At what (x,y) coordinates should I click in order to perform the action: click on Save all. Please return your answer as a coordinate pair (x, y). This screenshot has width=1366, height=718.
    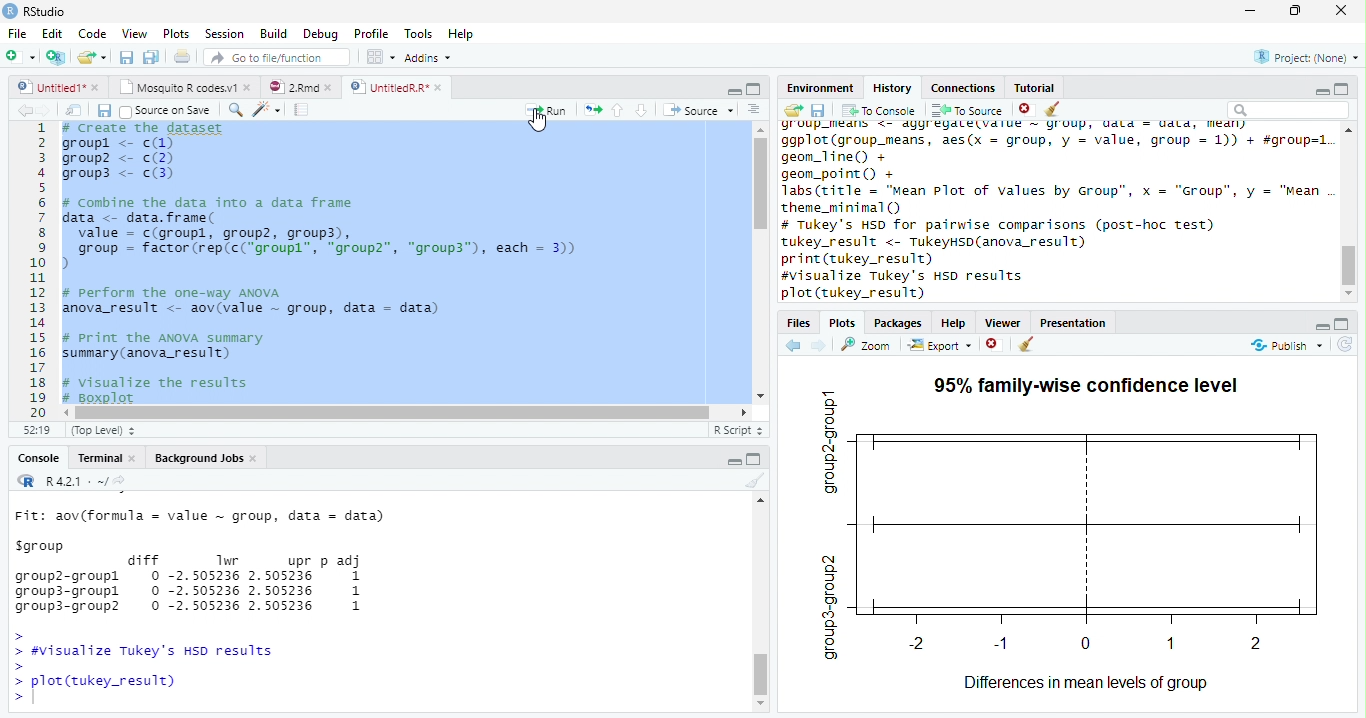
    Looking at the image, I should click on (108, 112).